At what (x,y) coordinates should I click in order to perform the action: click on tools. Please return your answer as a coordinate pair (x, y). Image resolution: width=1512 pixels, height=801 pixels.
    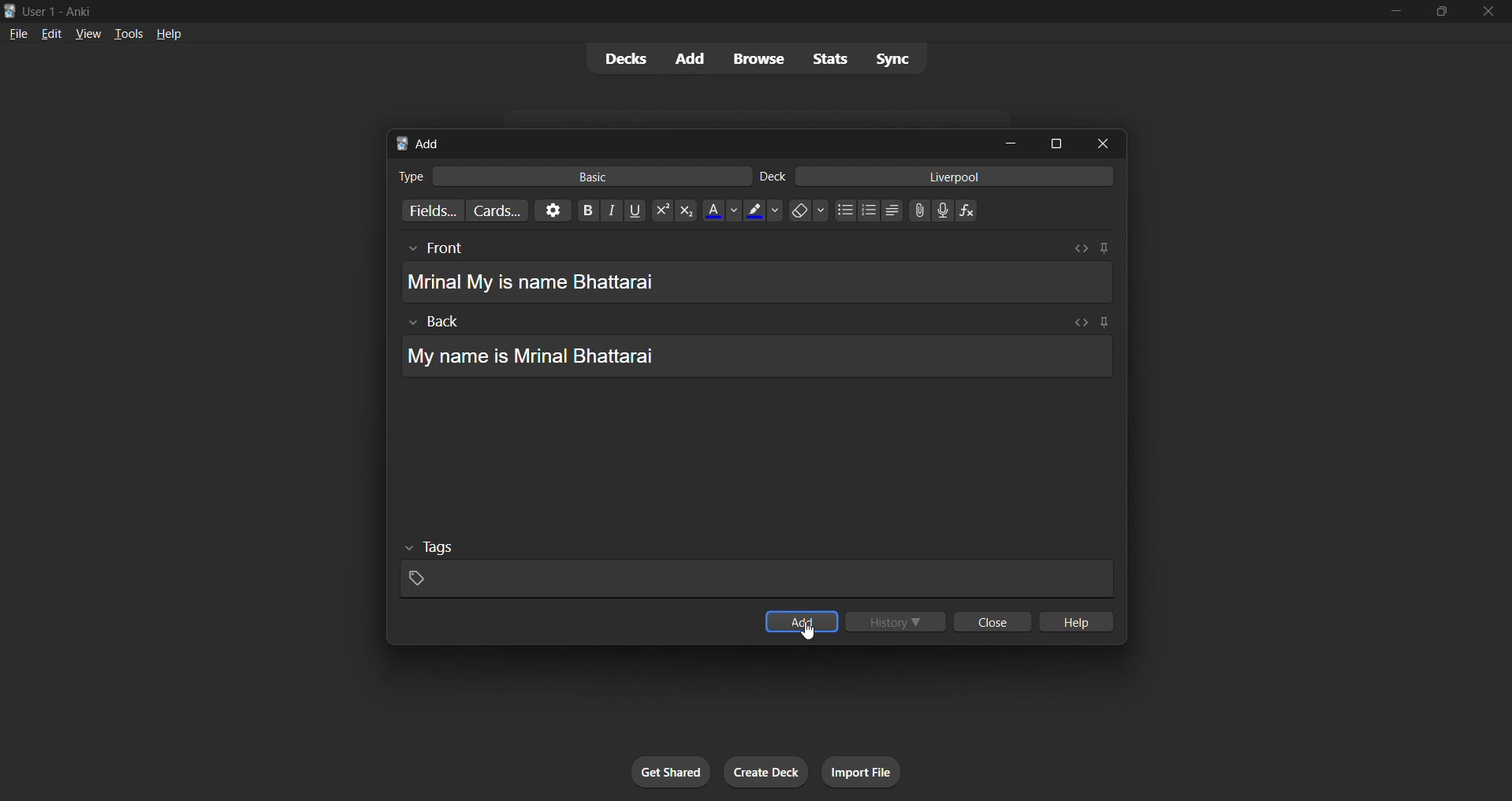
    Looking at the image, I should click on (128, 32).